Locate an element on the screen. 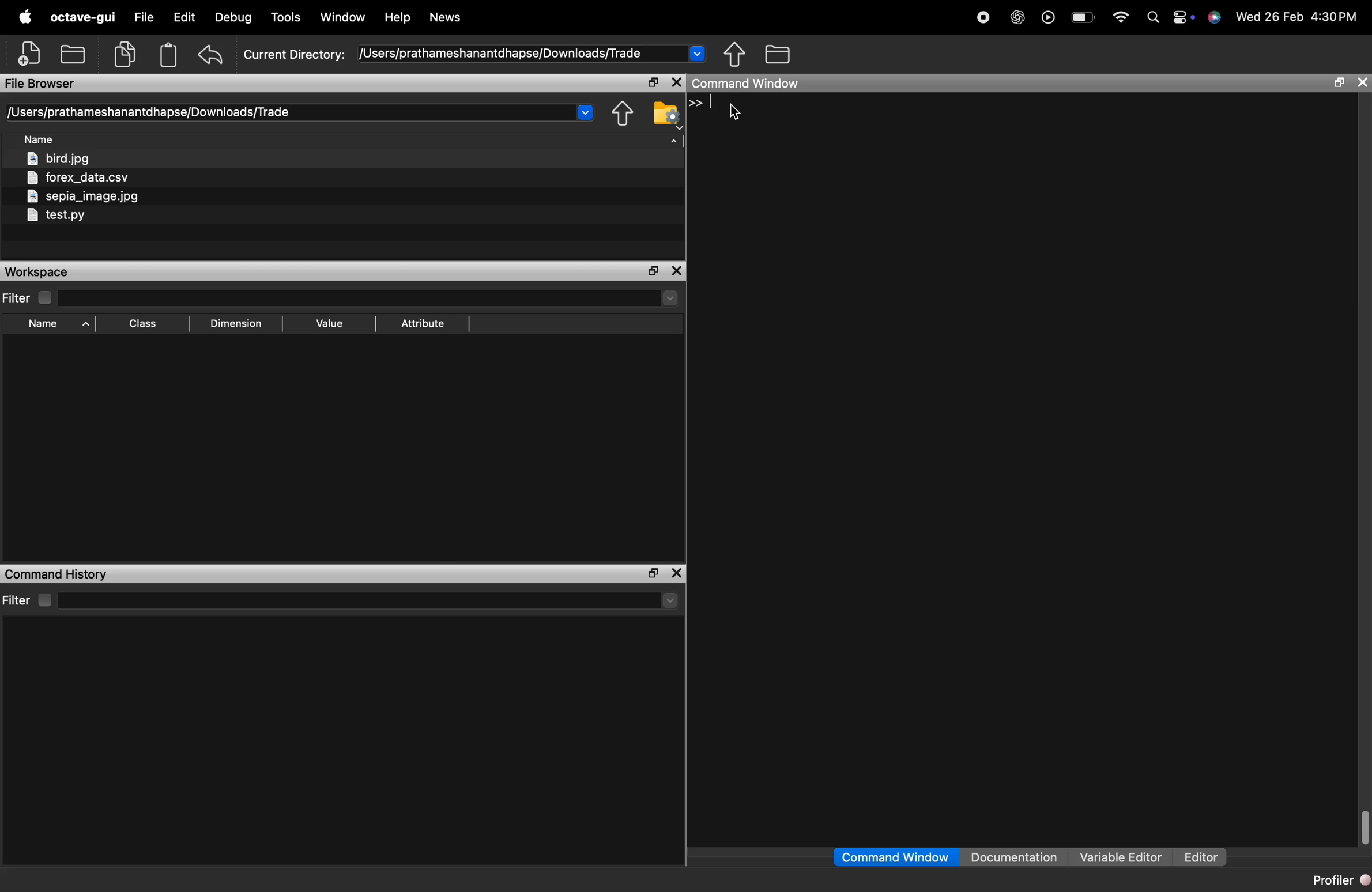 This screenshot has height=892, width=1372. battery is located at coordinates (1083, 17).